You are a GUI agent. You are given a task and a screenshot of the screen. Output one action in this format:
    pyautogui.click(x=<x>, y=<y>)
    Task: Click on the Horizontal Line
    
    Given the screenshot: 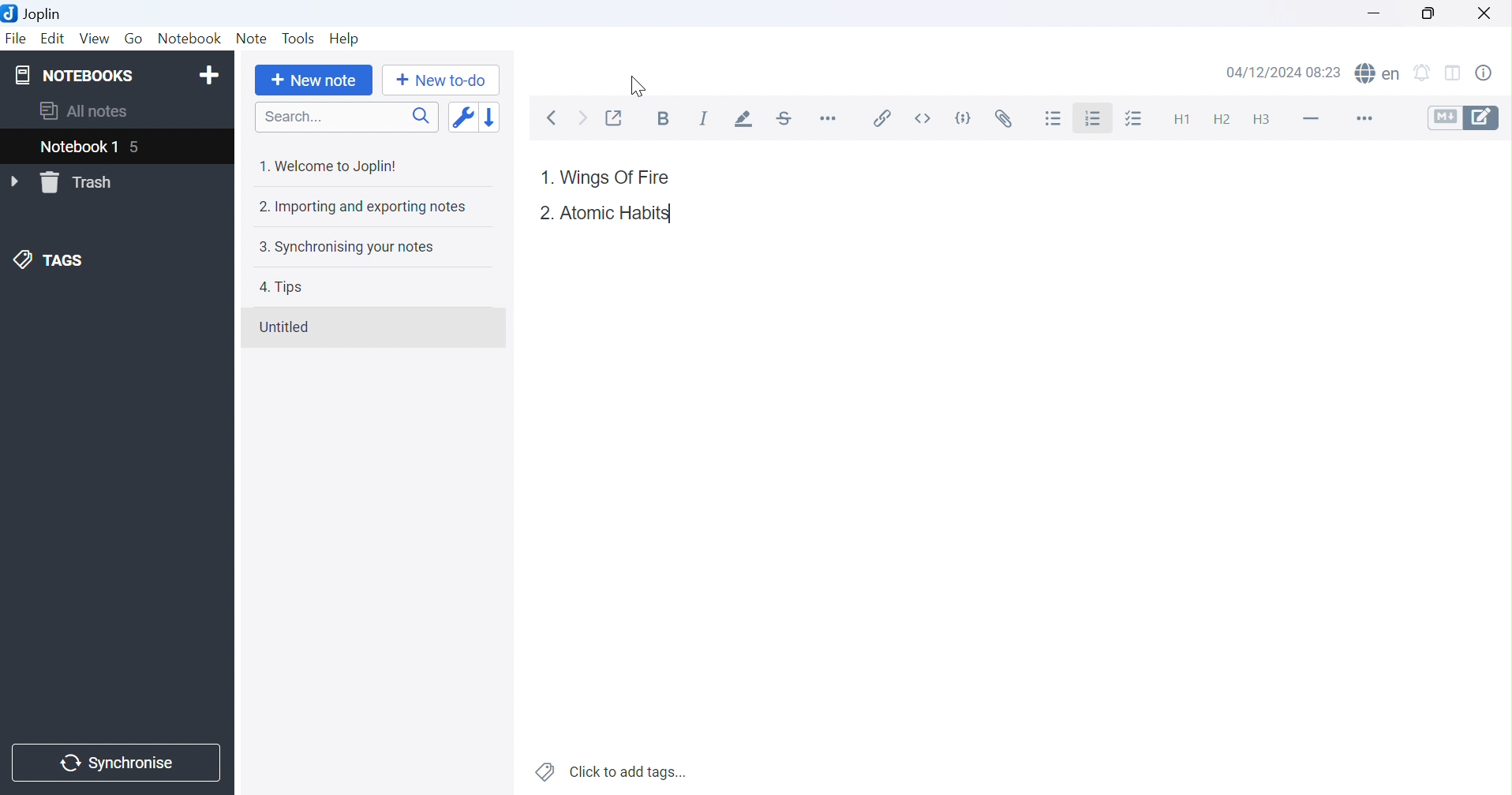 What is the action you would take?
    pyautogui.click(x=1310, y=116)
    